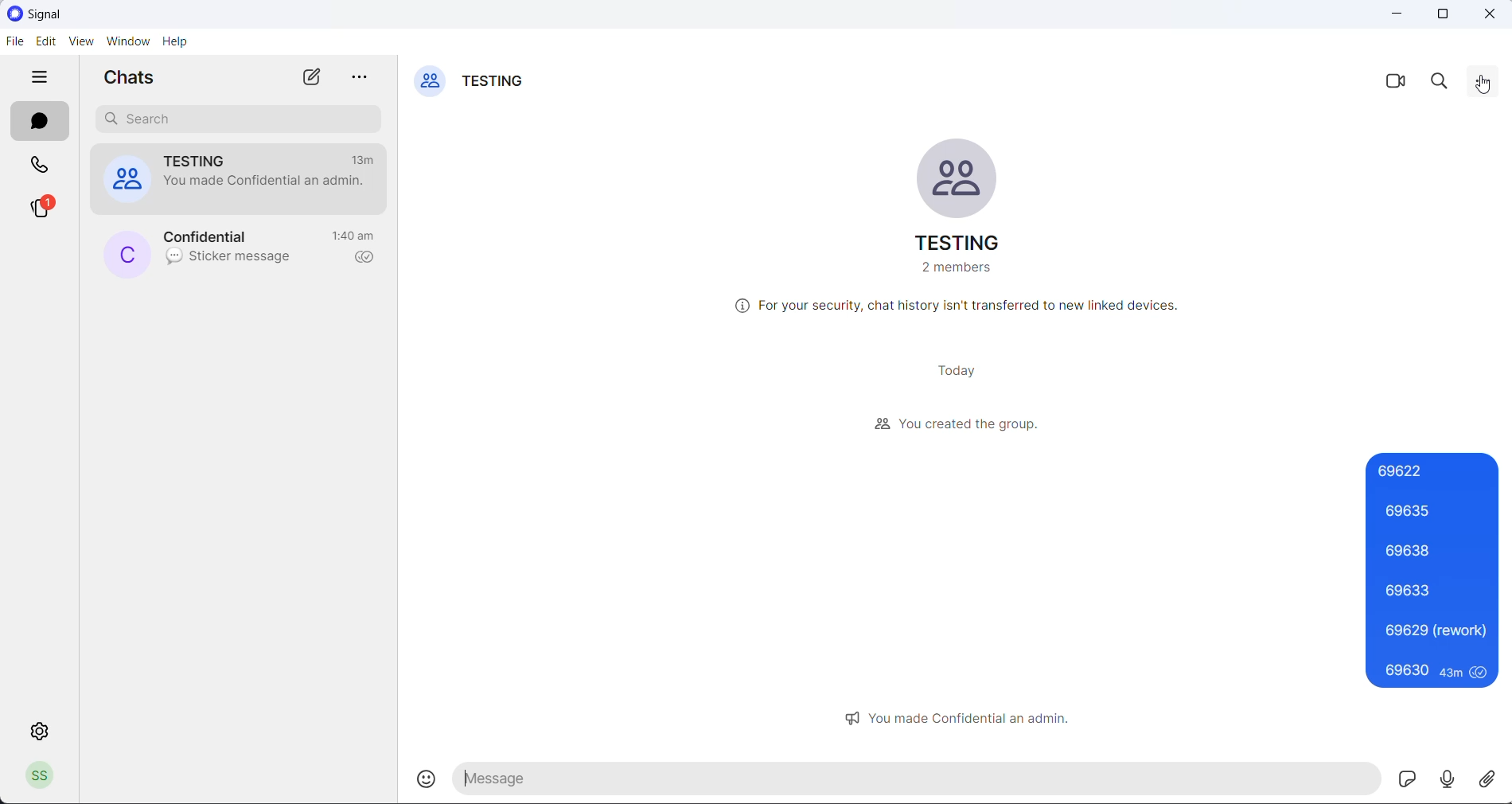 The height and width of the screenshot is (804, 1512). Describe the element at coordinates (431, 779) in the screenshot. I see `emojis` at that location.